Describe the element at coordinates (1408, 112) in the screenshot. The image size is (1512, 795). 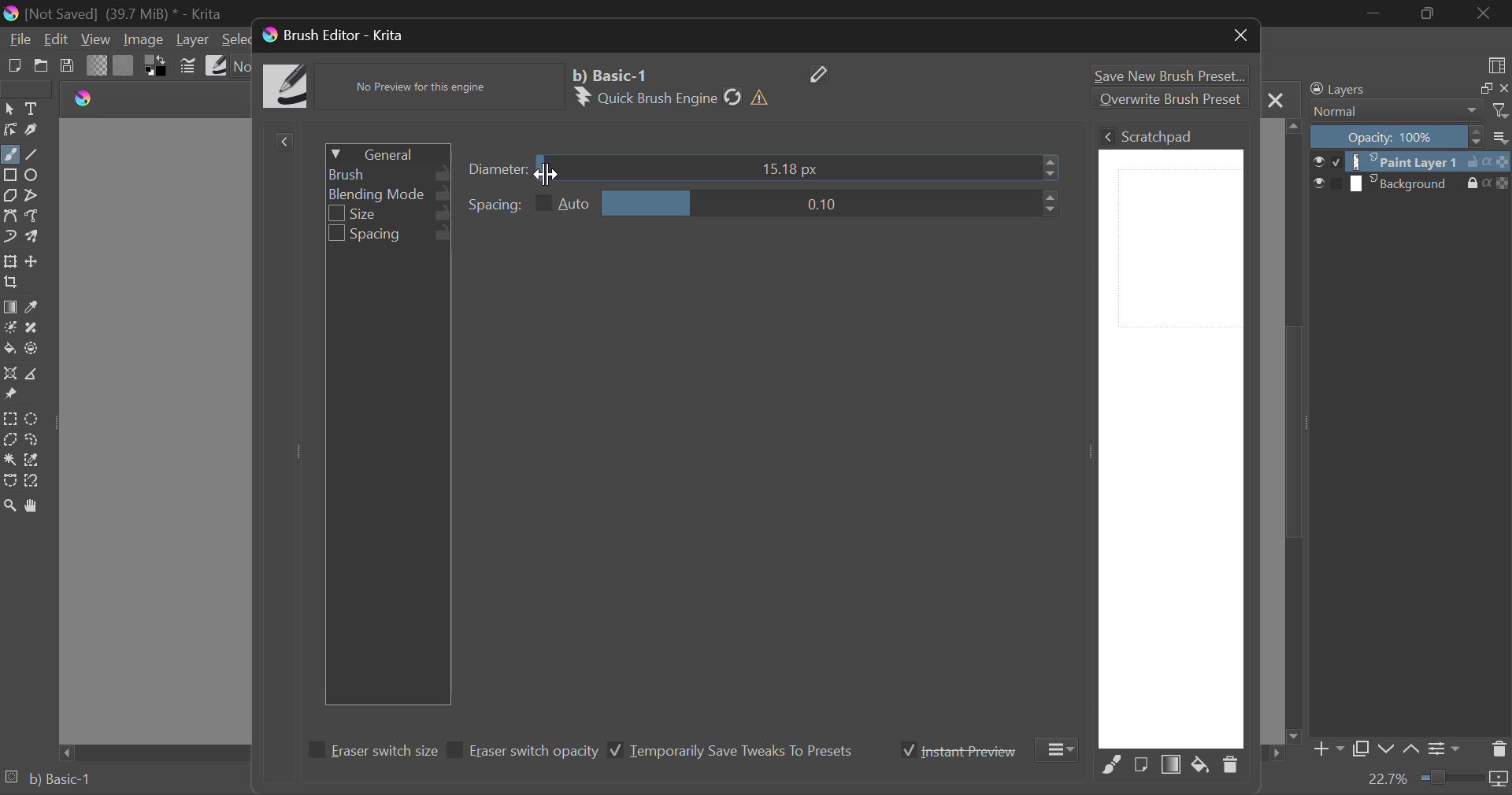
I see `Blending Mode` at that location.